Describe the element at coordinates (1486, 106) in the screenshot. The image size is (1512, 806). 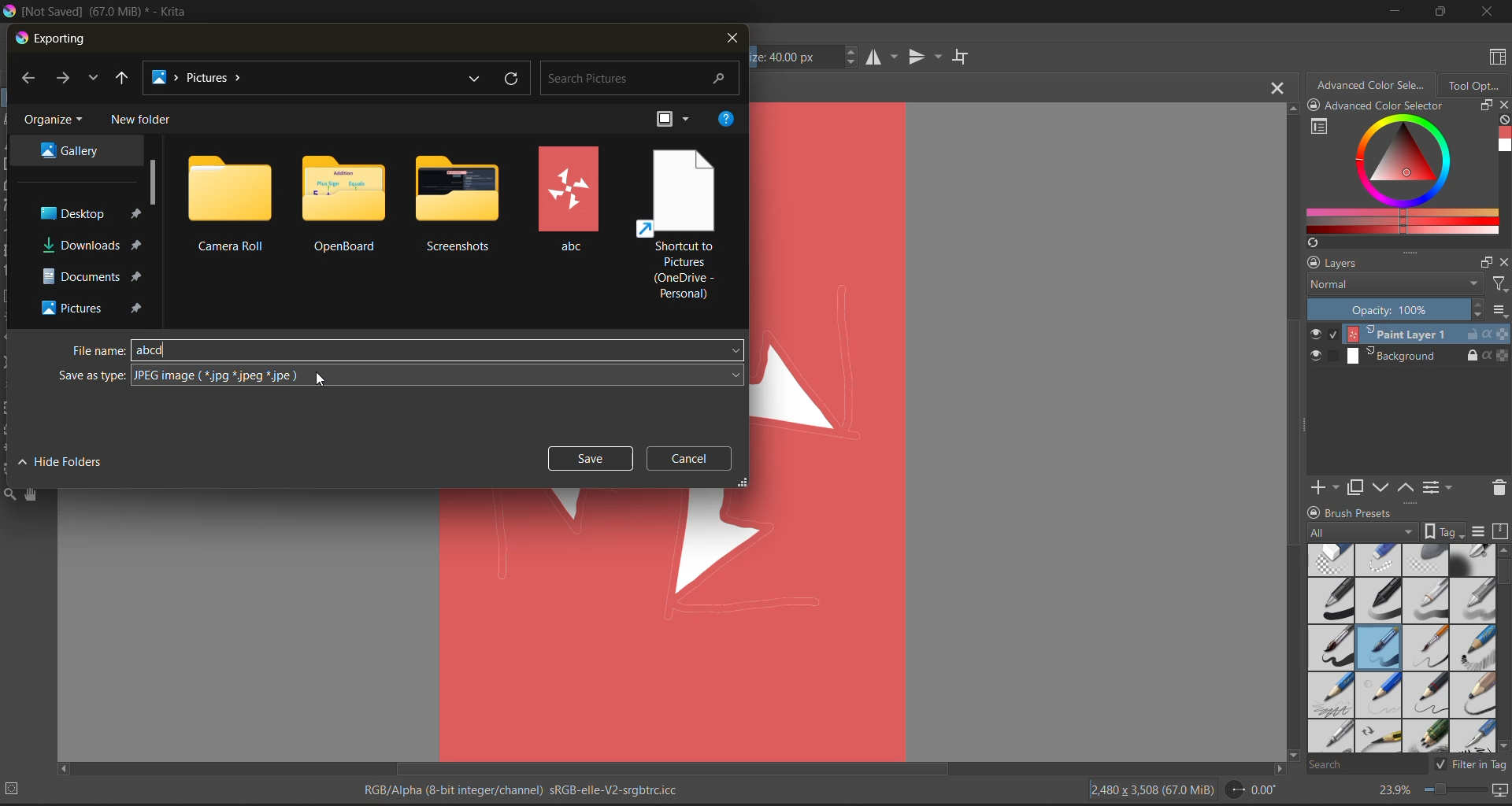
I see `float docker` at that location.